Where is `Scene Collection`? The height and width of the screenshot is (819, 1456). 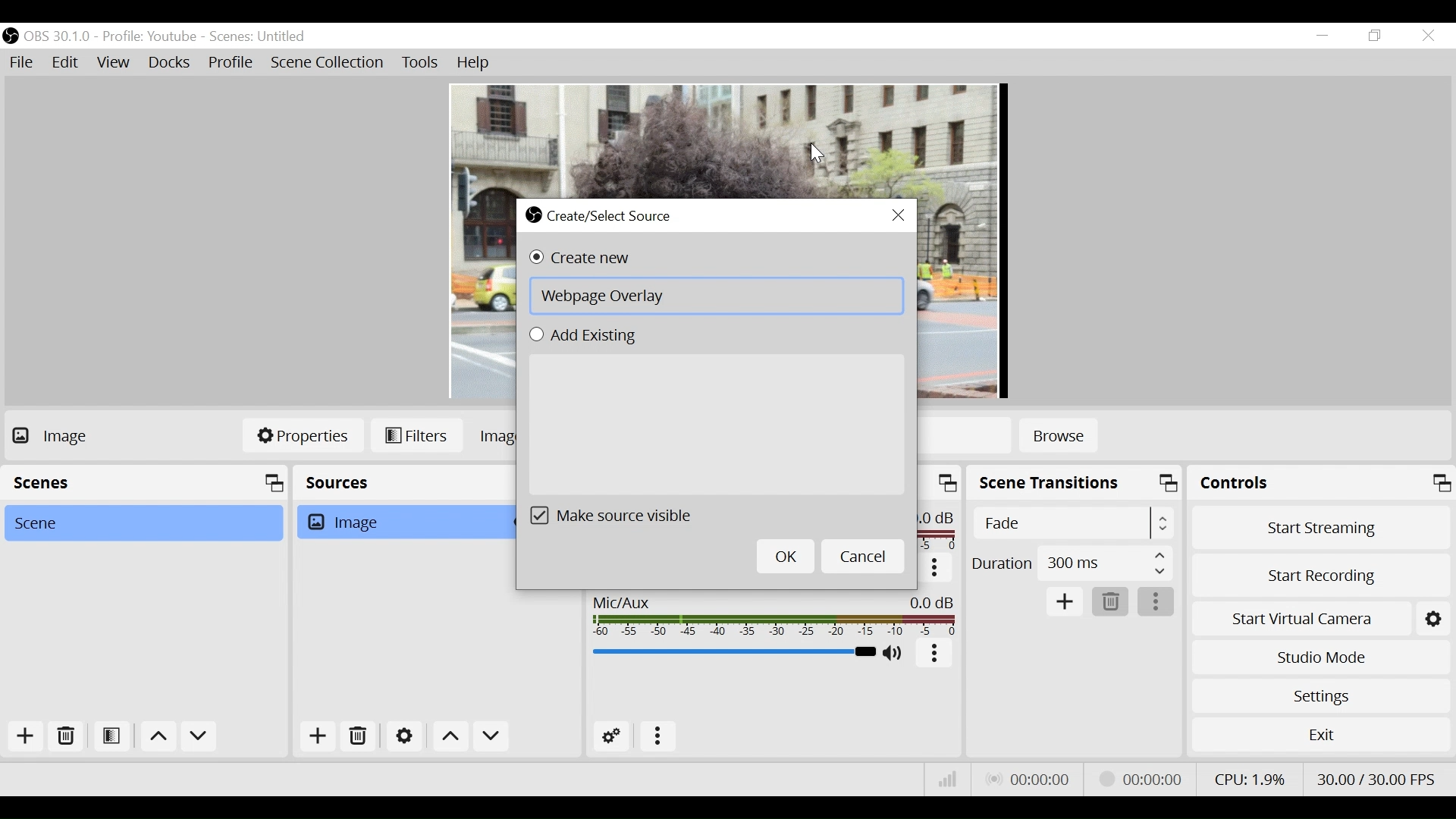 Scene Collection is located at coordinates (327, 65).